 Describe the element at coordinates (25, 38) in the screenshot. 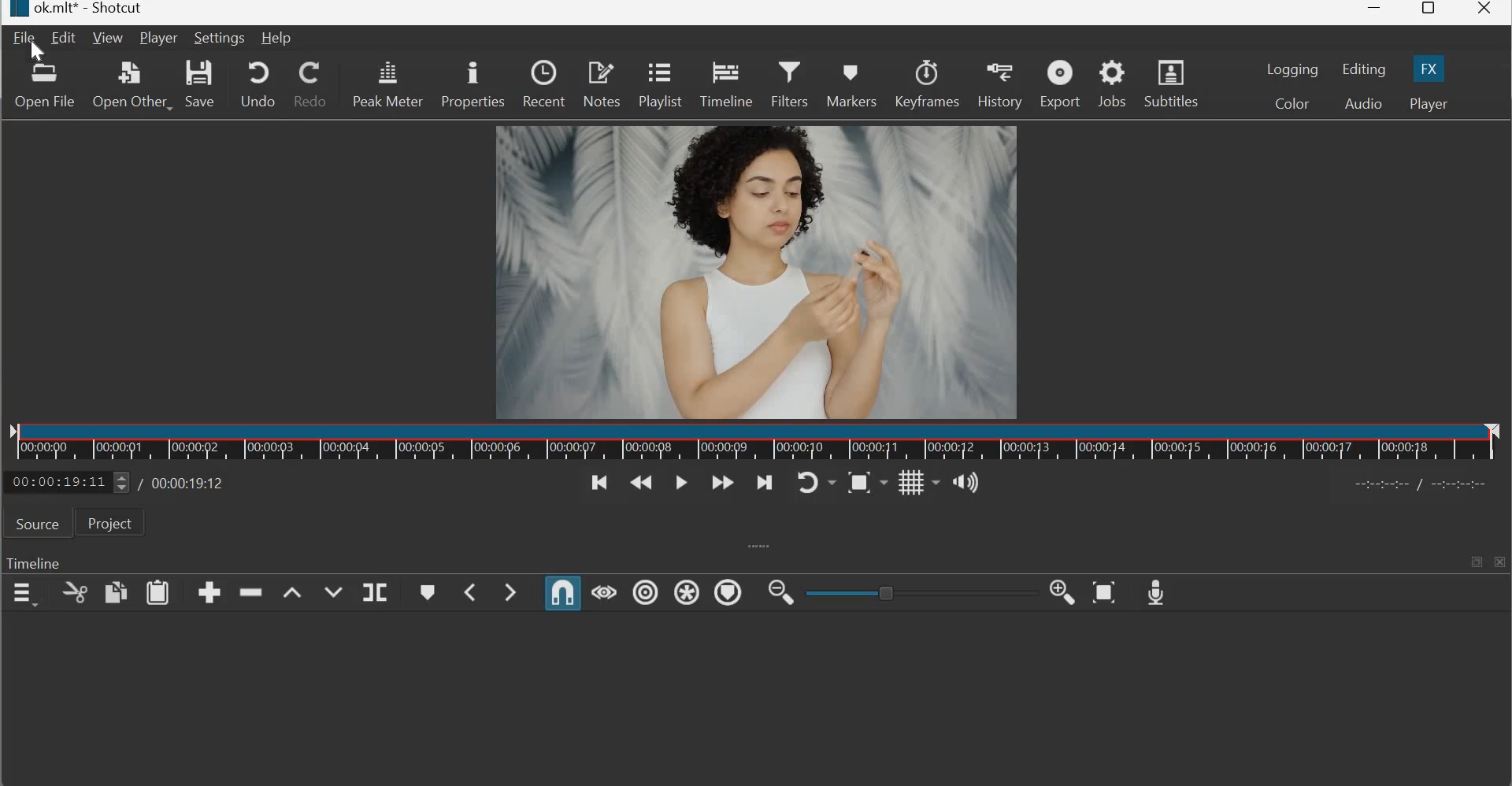

I see `File` at that location.